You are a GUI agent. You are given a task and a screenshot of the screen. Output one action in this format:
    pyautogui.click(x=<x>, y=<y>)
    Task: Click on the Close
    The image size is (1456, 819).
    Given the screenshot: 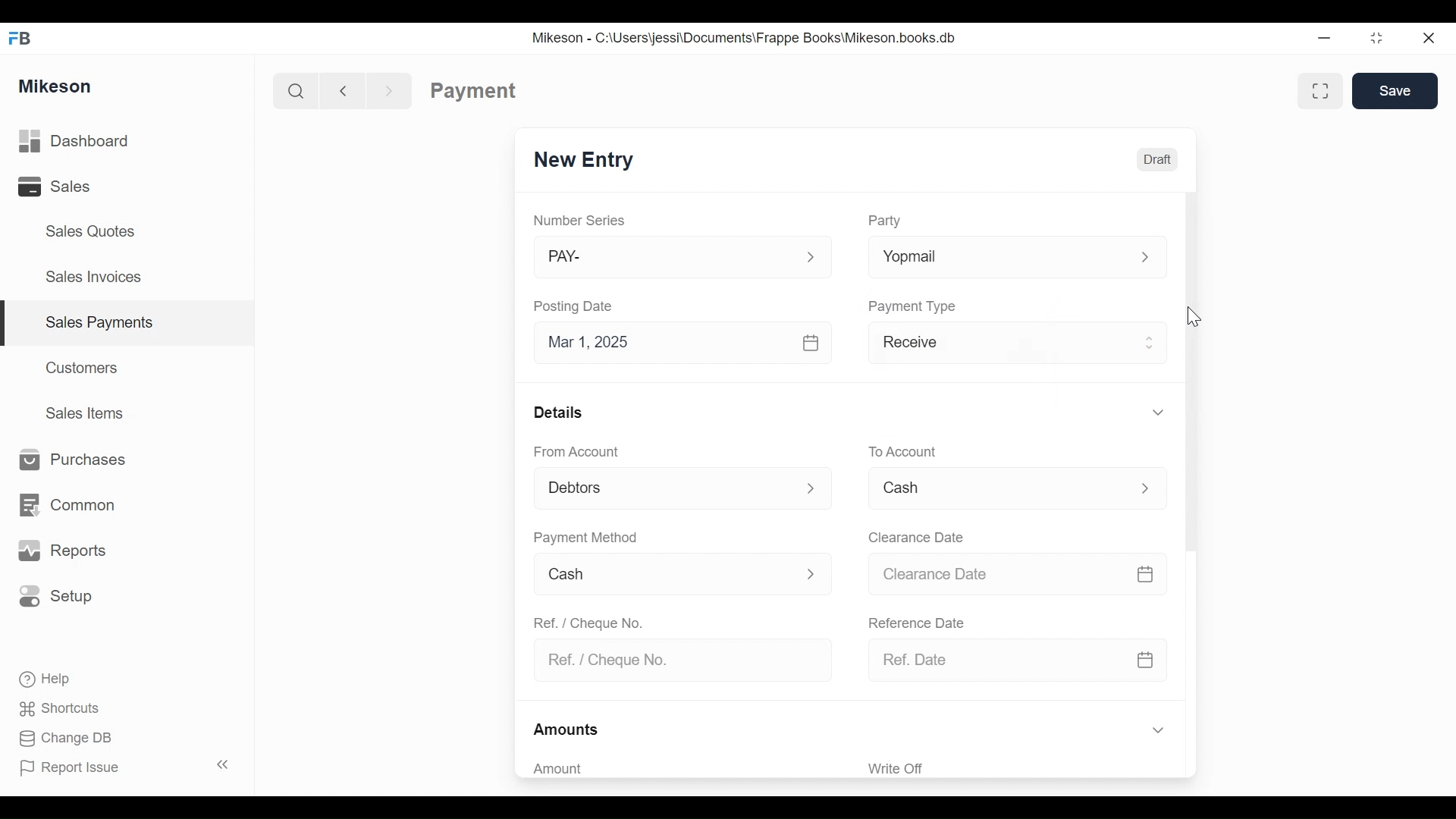 What is the action you would take?
    pyautogui.click(x=1426, y=36)
    